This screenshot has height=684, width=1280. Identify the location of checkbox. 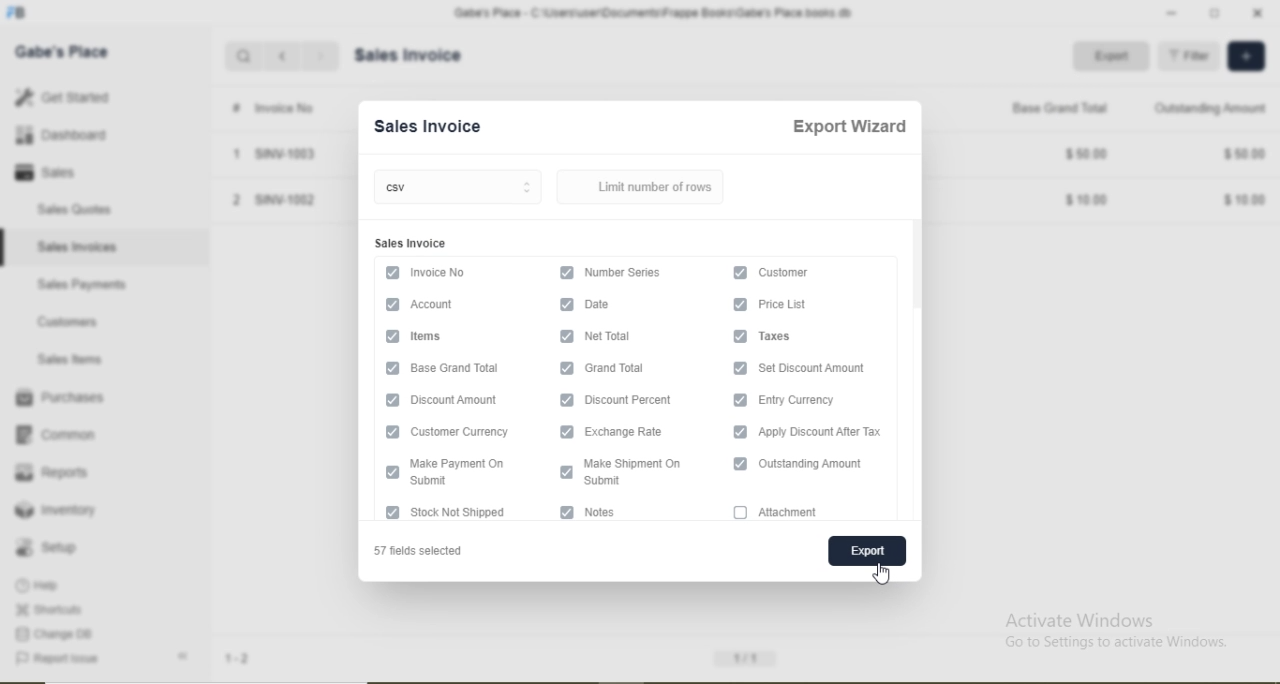
(740, 431).